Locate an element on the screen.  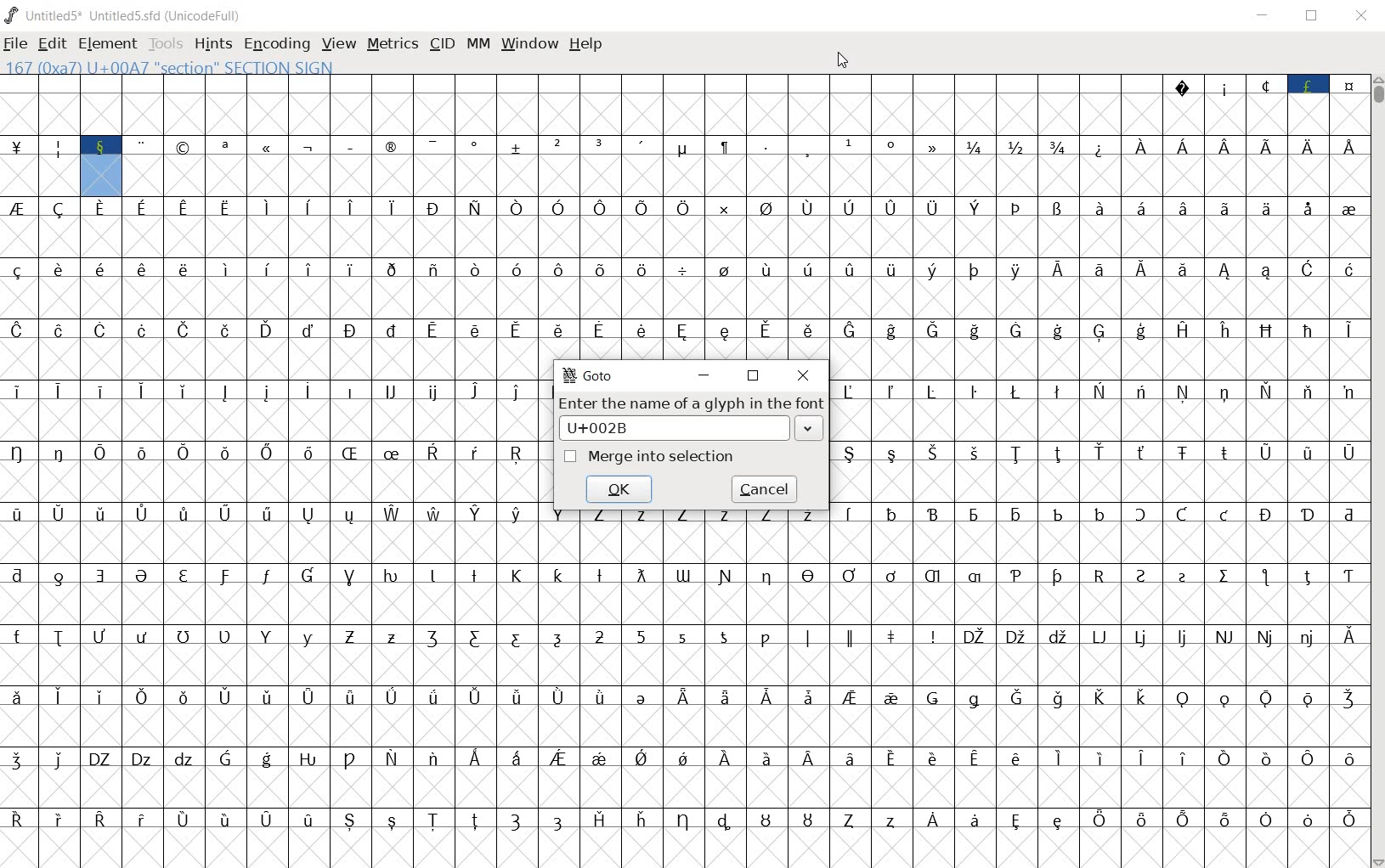
Merge into selection is located at coordinates (647, 457).